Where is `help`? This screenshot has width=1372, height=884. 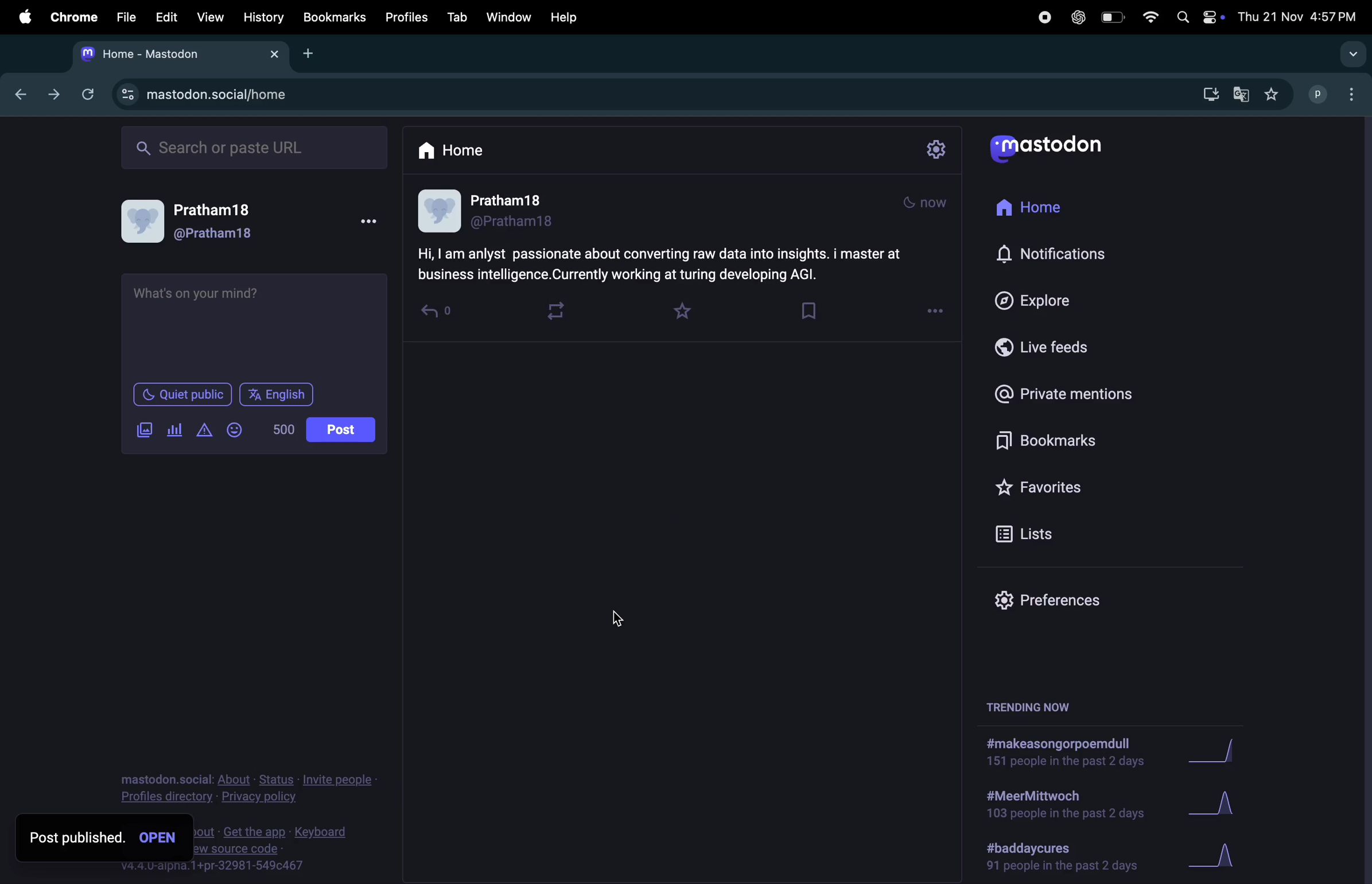 help is located at coordinates (565, 17).